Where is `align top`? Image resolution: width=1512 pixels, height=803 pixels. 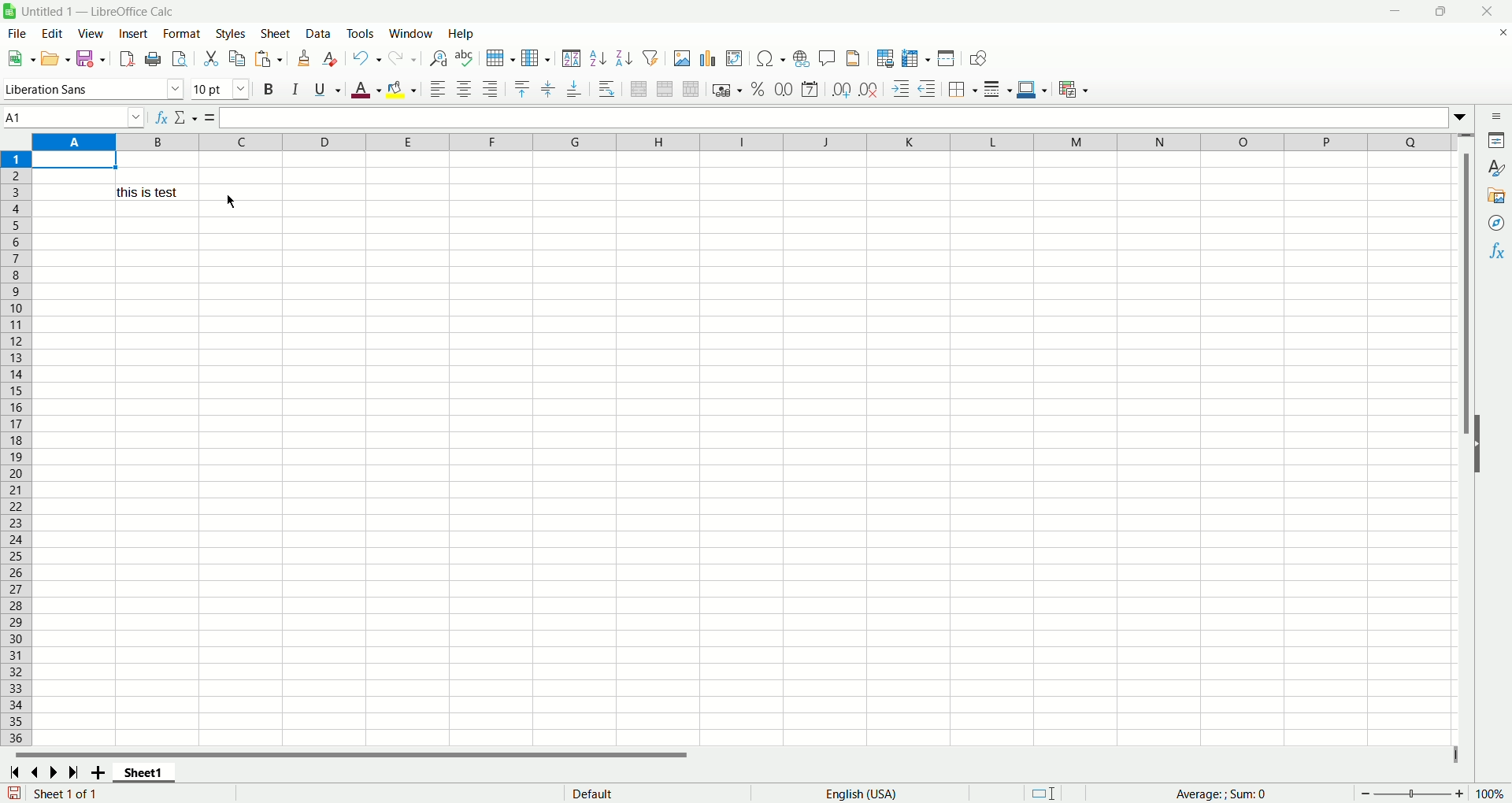
align top is located at coordinates (523, 88).